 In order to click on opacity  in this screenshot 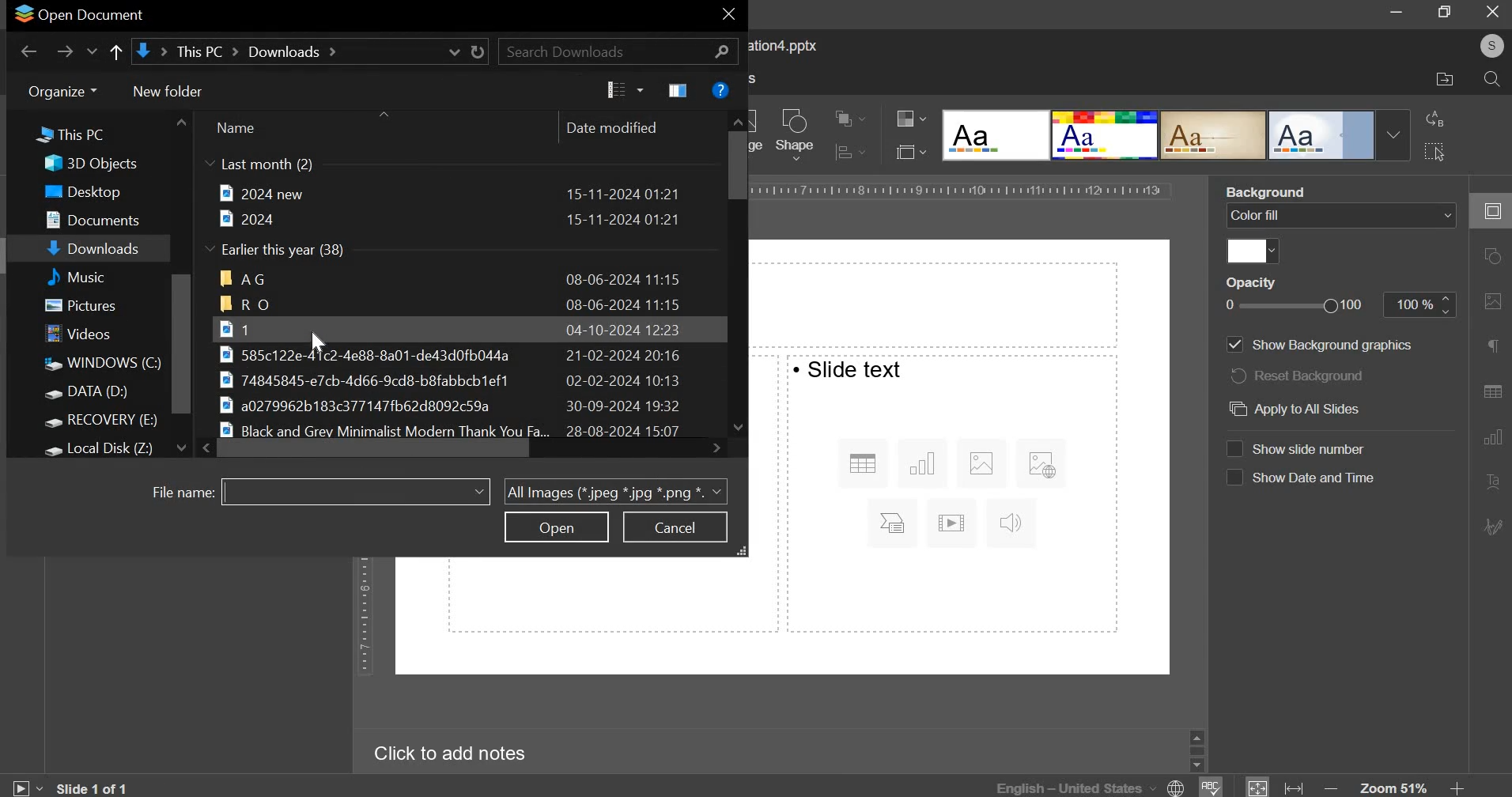, I will do `click(1420, 304)`.